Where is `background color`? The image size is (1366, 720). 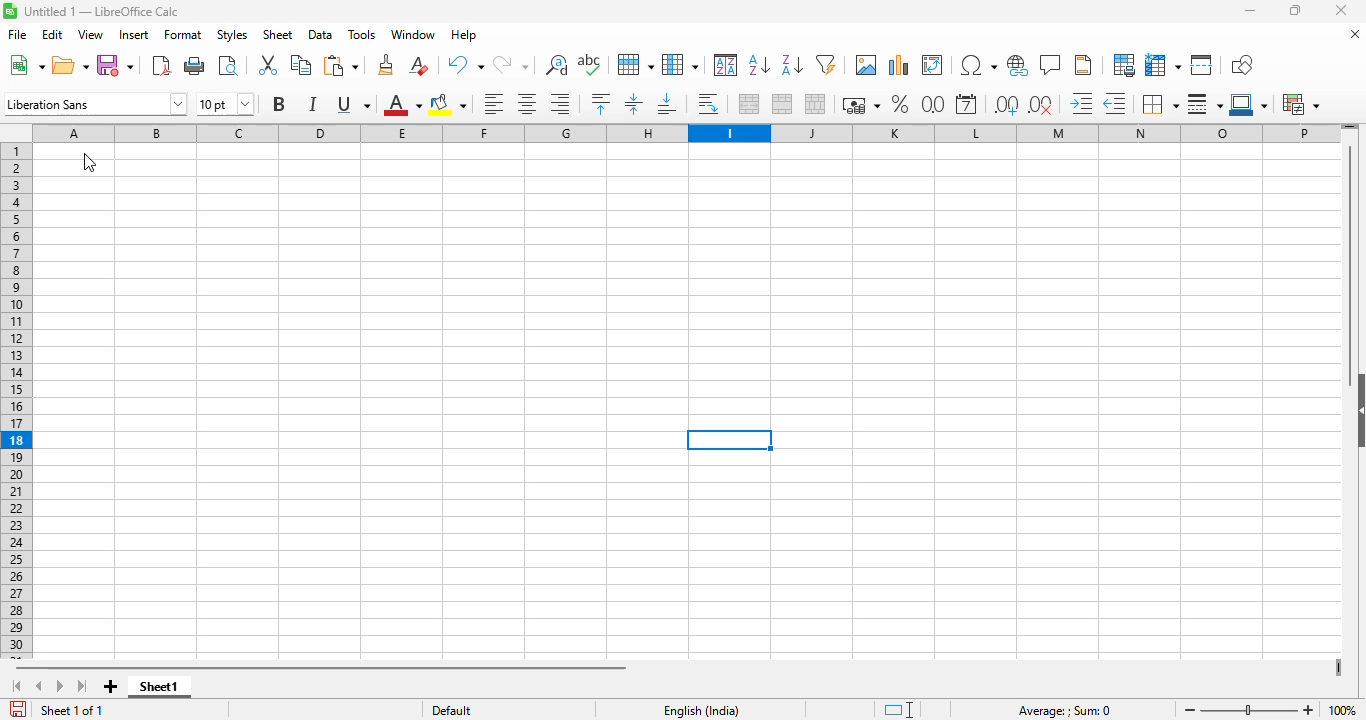
background color is located at coordinates (449, 105).